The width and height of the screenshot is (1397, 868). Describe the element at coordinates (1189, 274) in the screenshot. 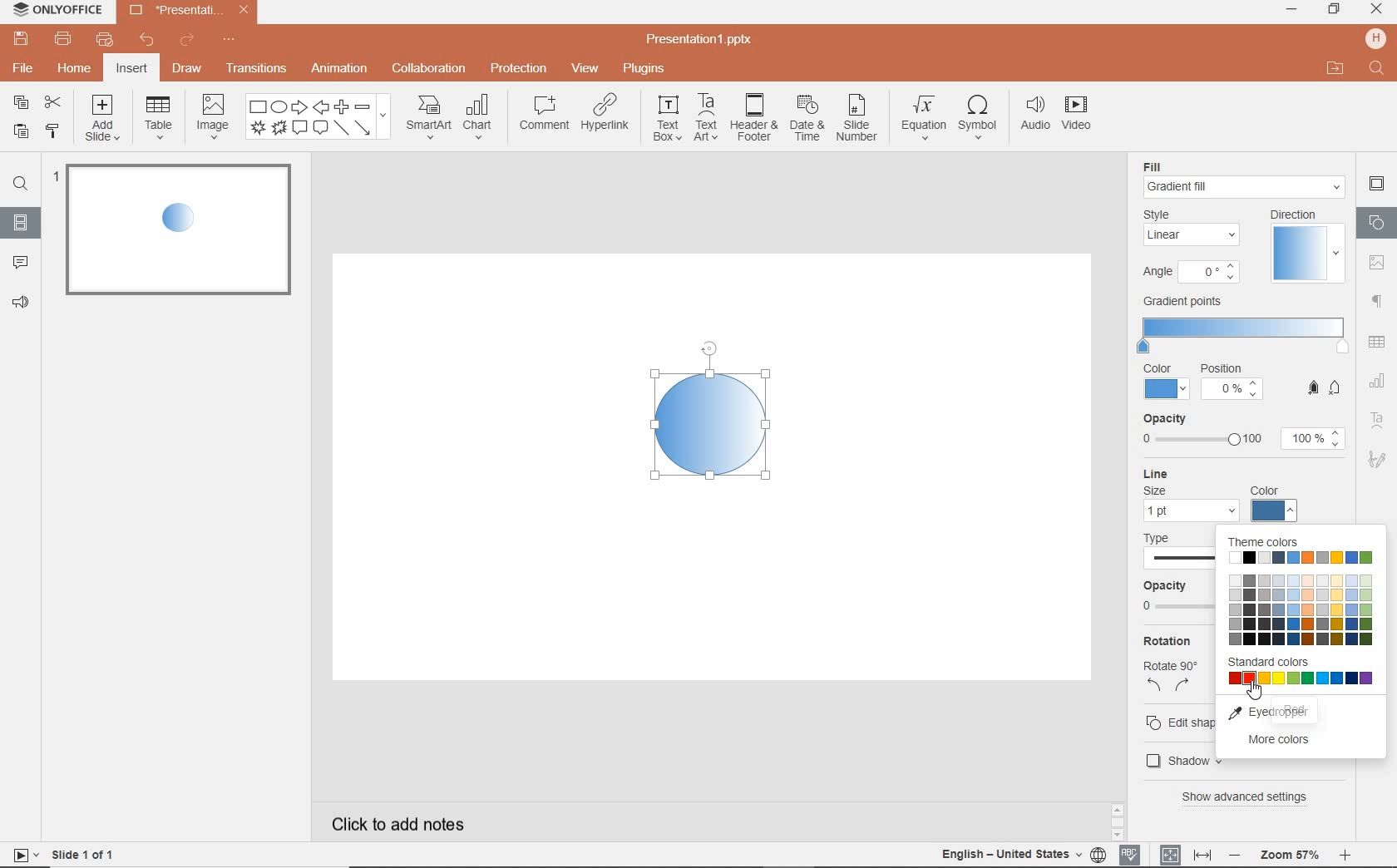

I see `angle` at that location.